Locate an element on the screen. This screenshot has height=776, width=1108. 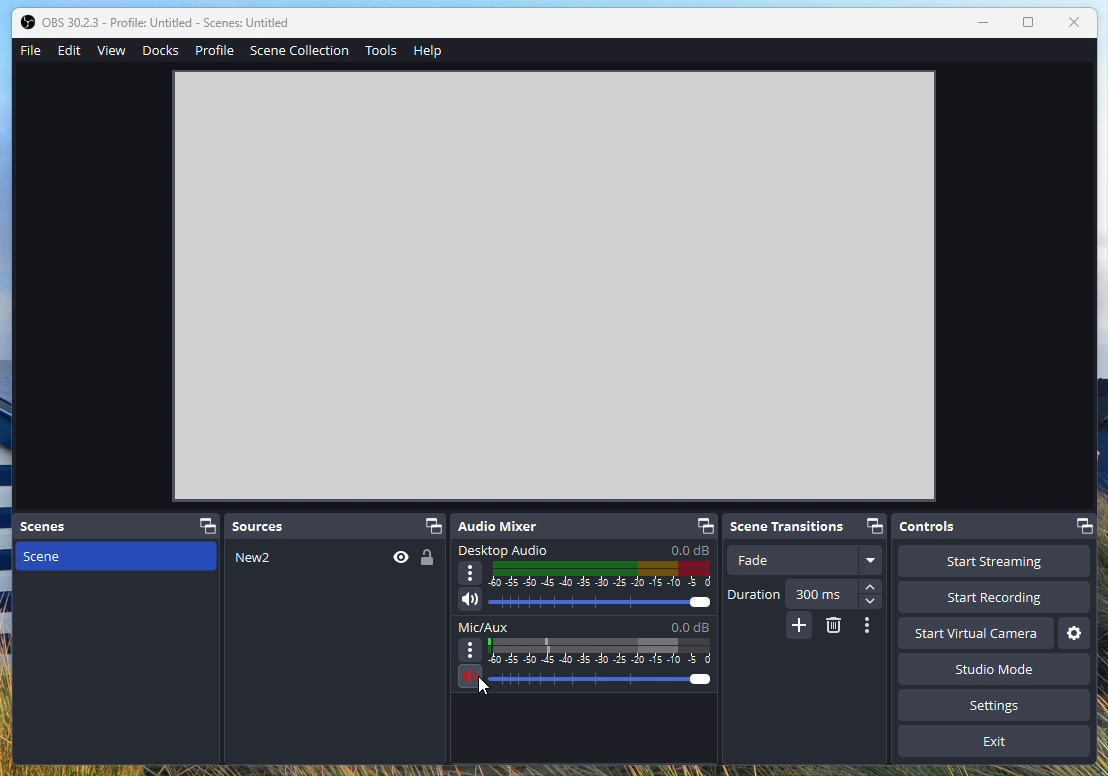
Sources is located at coordinates (336, 526).